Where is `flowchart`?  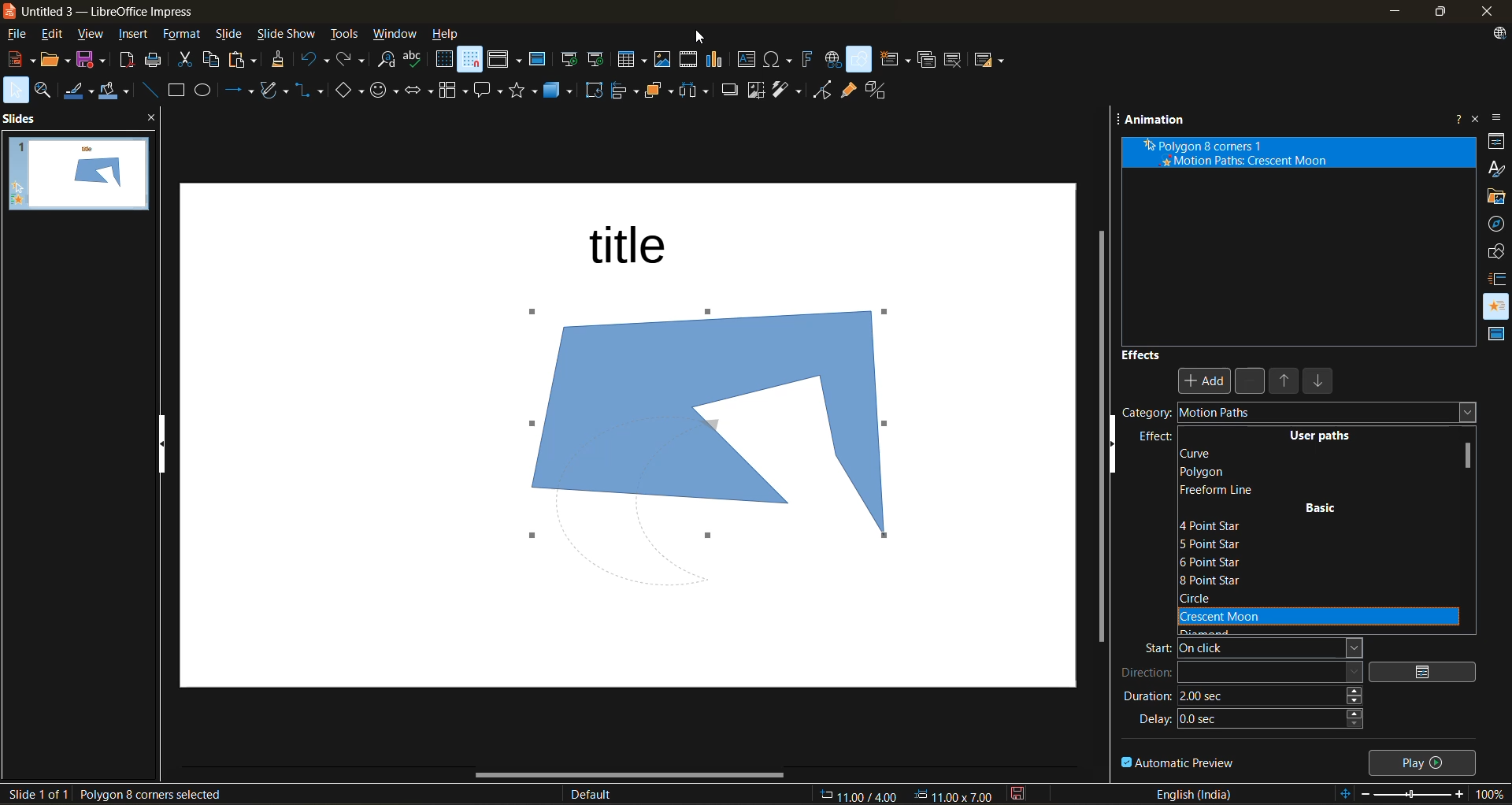
flowchart is located at coordinates (454, 91).